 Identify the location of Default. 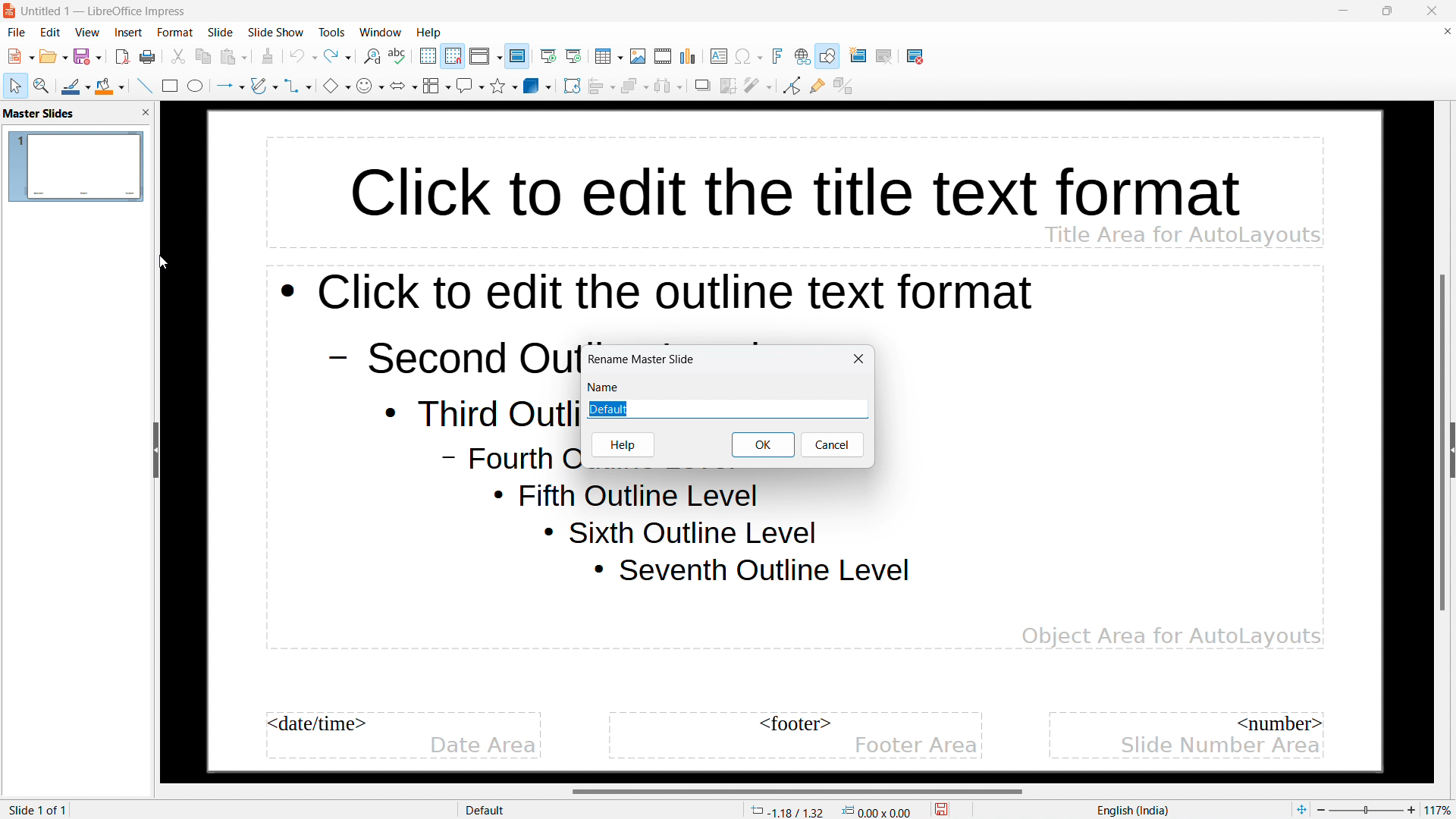
(725, 408).